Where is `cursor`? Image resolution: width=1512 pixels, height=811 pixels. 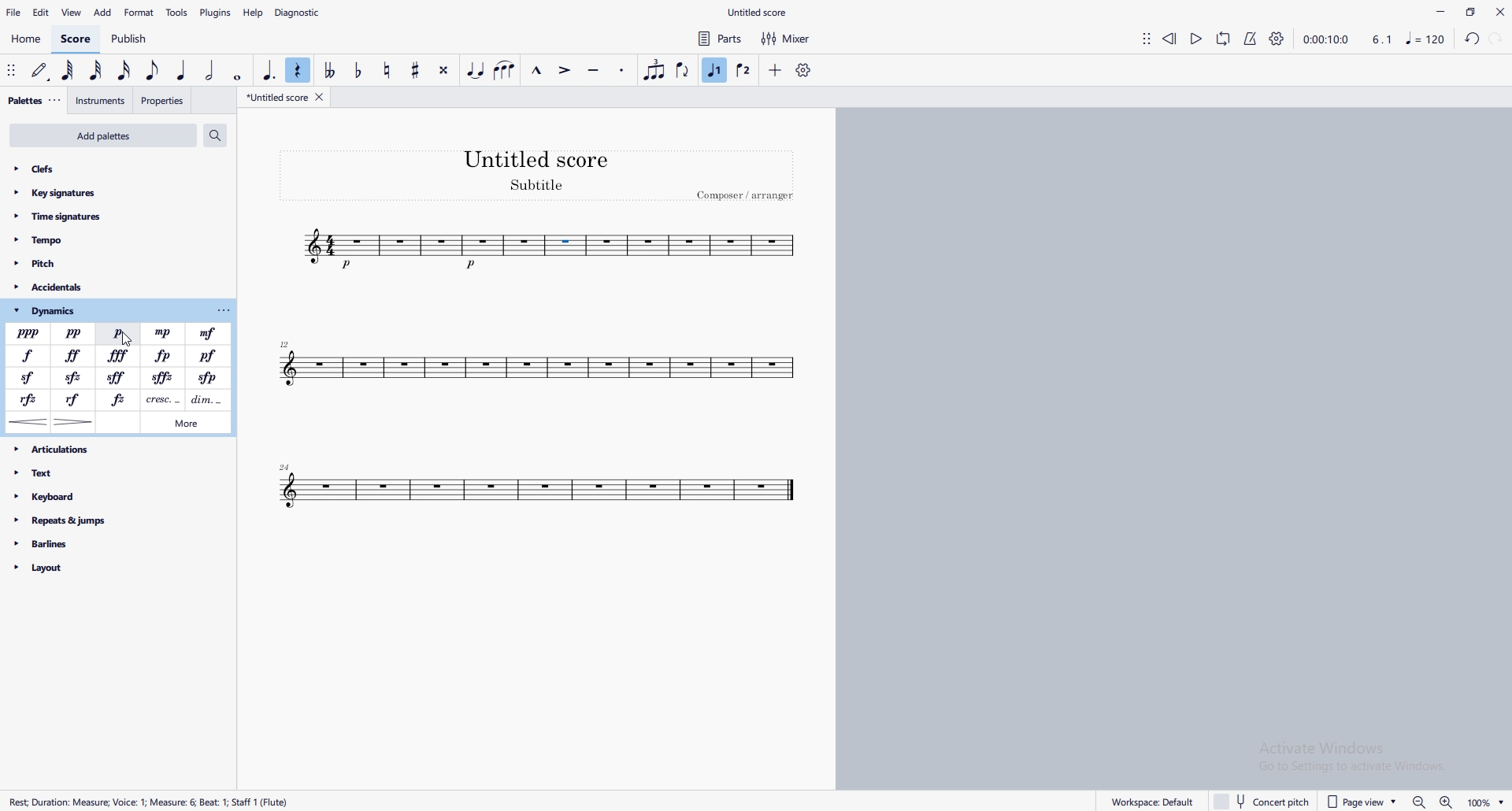
cursor is located at coordinates (129, 334).